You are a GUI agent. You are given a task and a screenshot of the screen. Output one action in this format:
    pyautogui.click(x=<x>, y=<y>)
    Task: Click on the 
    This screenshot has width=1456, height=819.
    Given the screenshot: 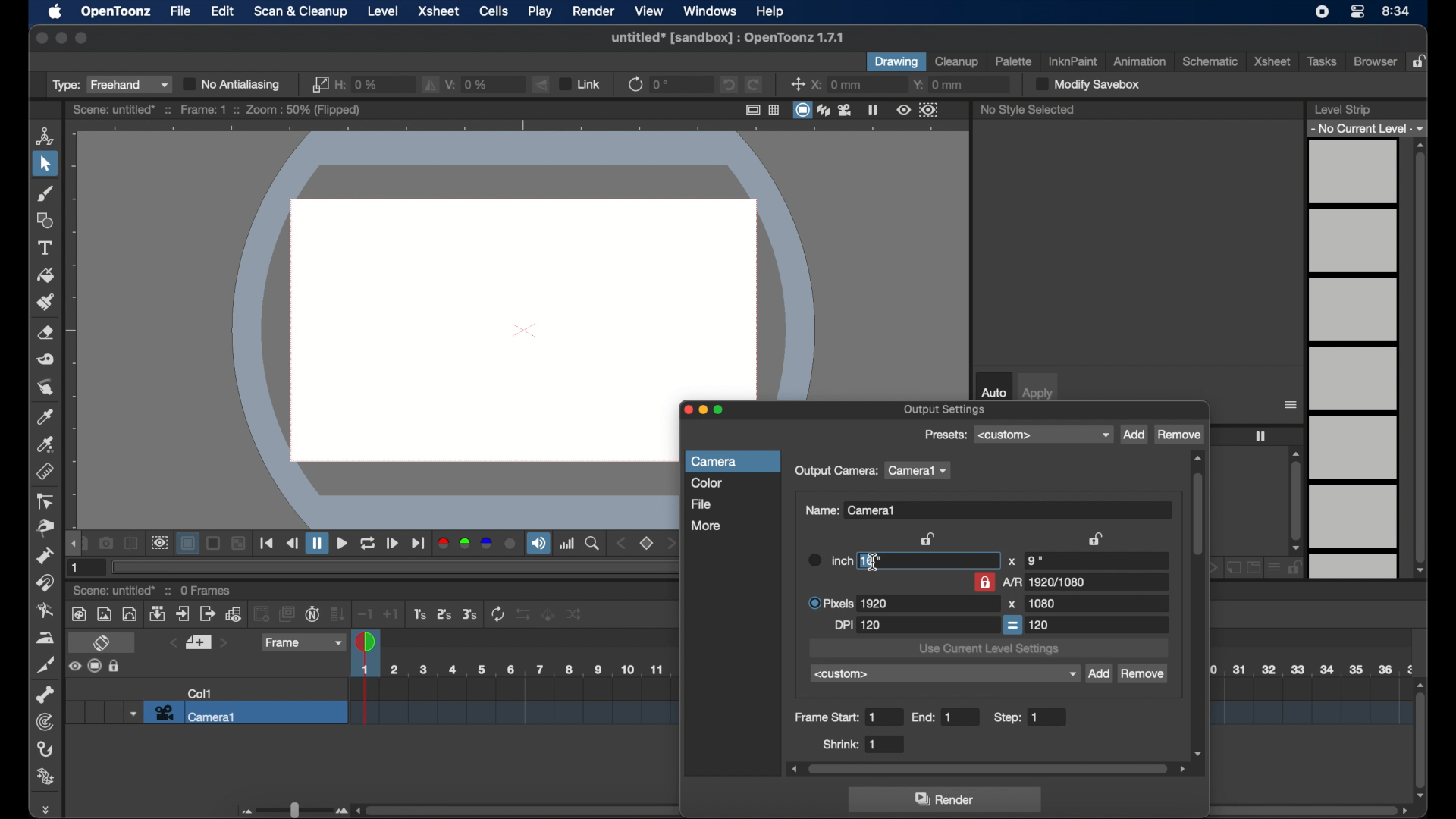 What is the action you would take?
    pyautogui.click(x=234, y=613)
    